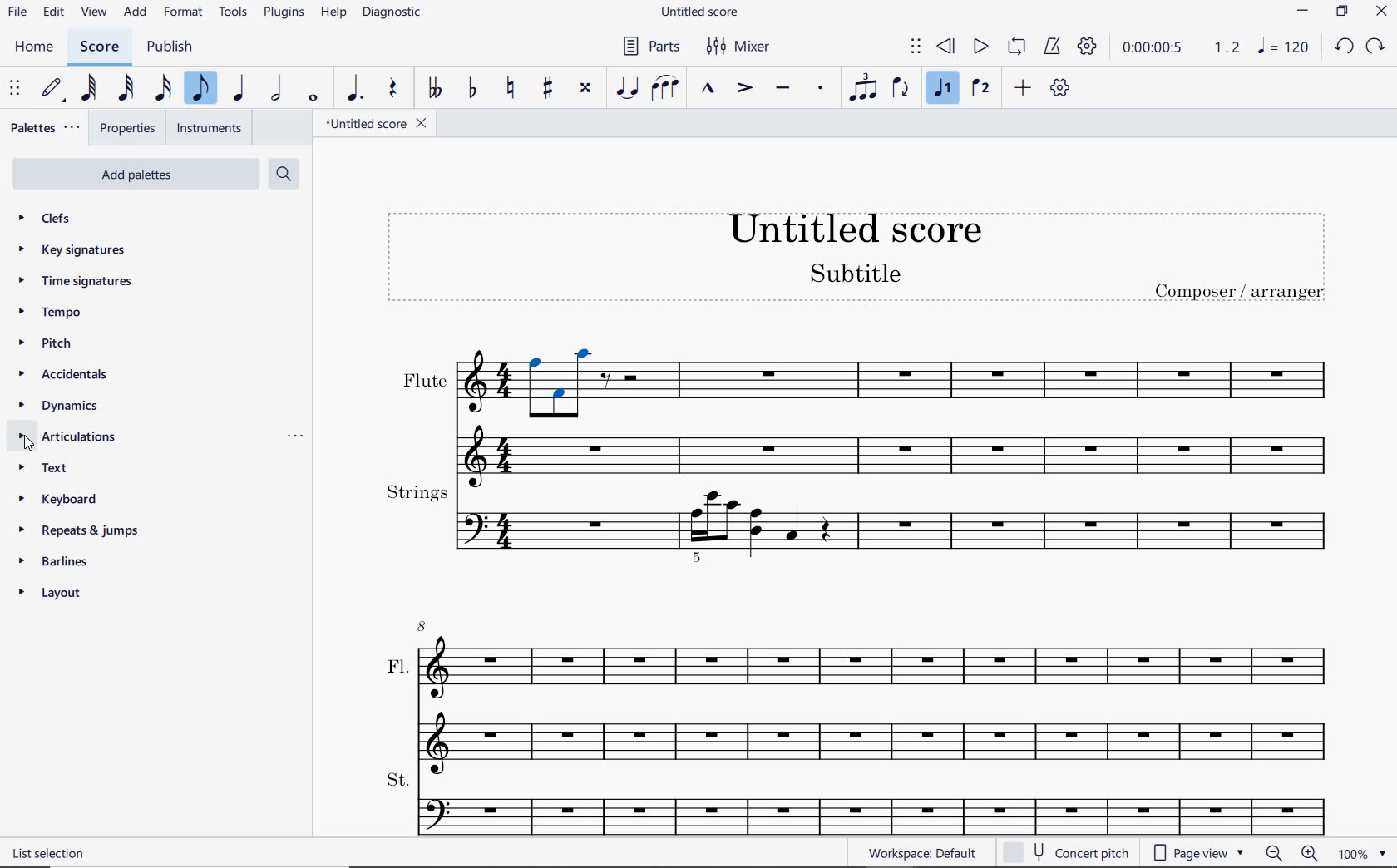 This screenshot has height=868, width=1397. Describe the element at coordinates (1016, 47) in the screenshot. I see `LOOP PLAYBACK` at that location.